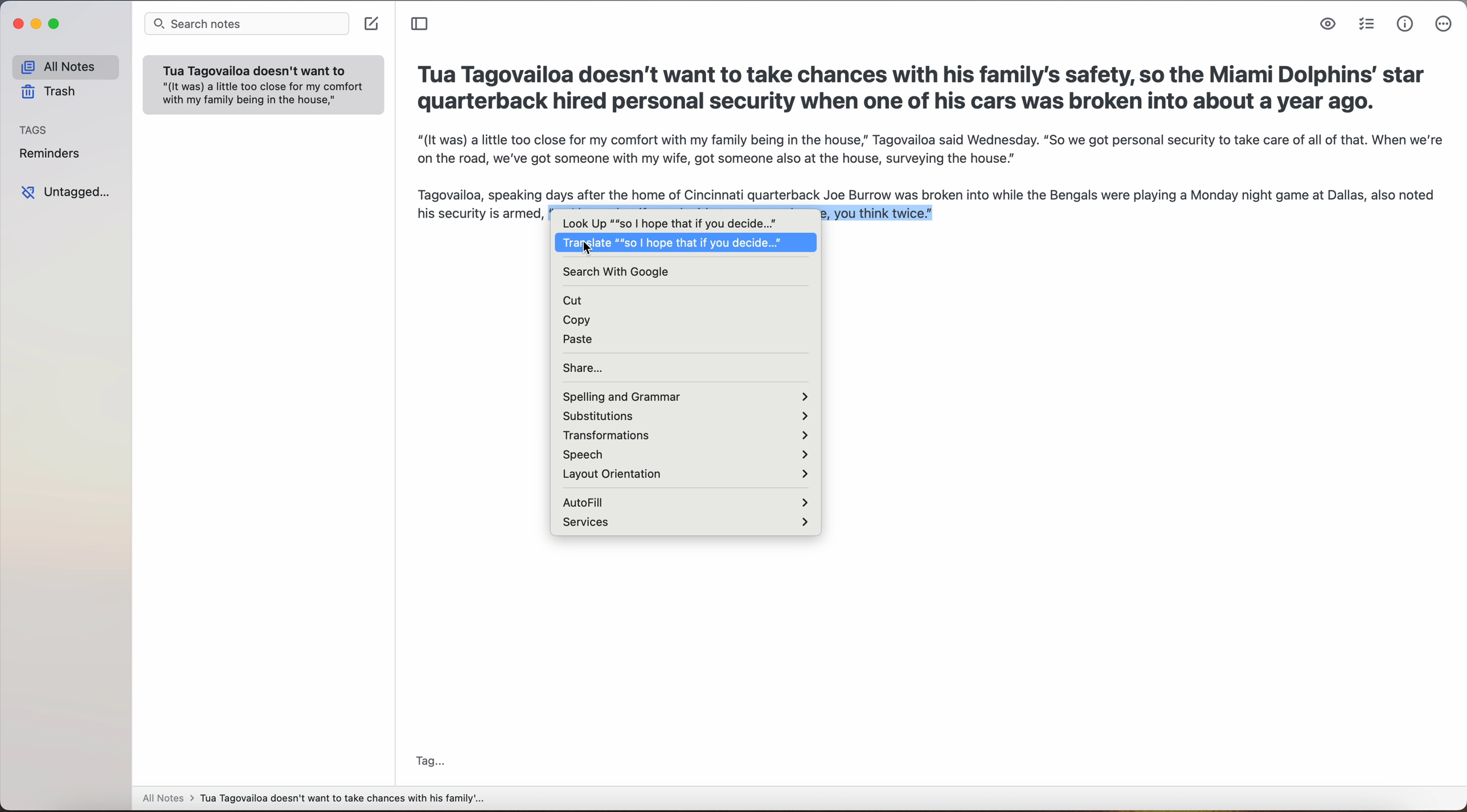  What do you see at coordinates (17, 26) in the screenshot?
I see `close app` at bounding box center [17, 26].